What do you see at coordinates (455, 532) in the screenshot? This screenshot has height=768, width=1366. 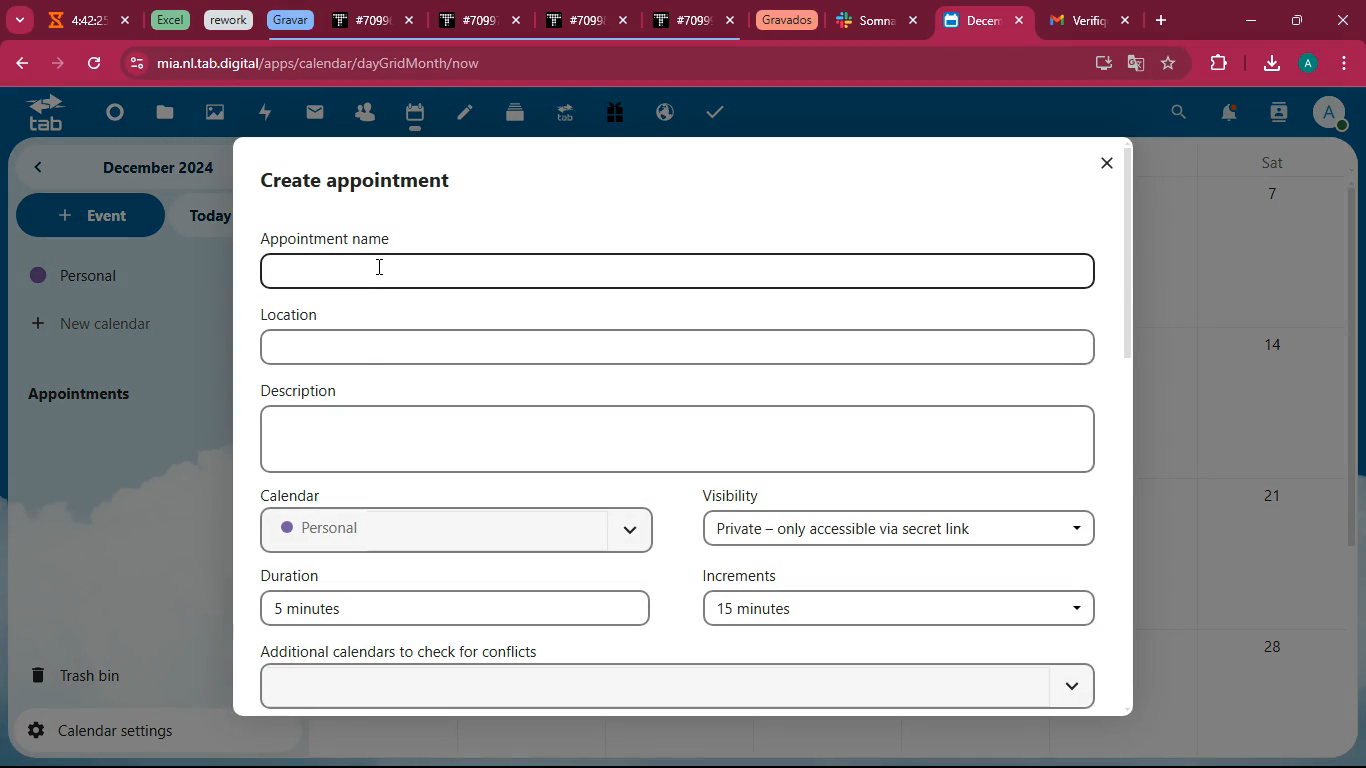 I see `personal` at bounding box center [455, 532].